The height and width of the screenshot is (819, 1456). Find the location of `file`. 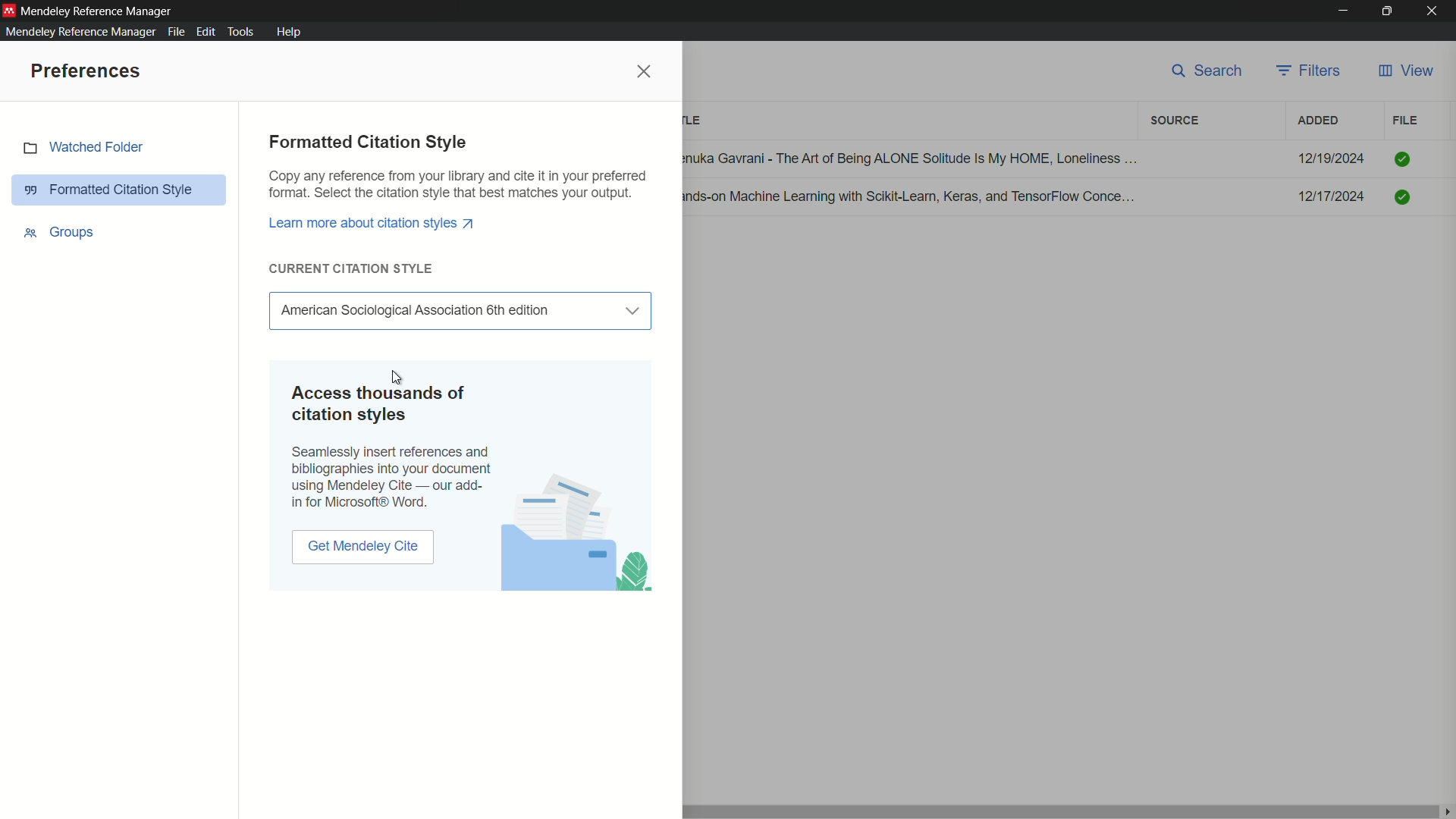

file is located at coordinates (1405, 121).